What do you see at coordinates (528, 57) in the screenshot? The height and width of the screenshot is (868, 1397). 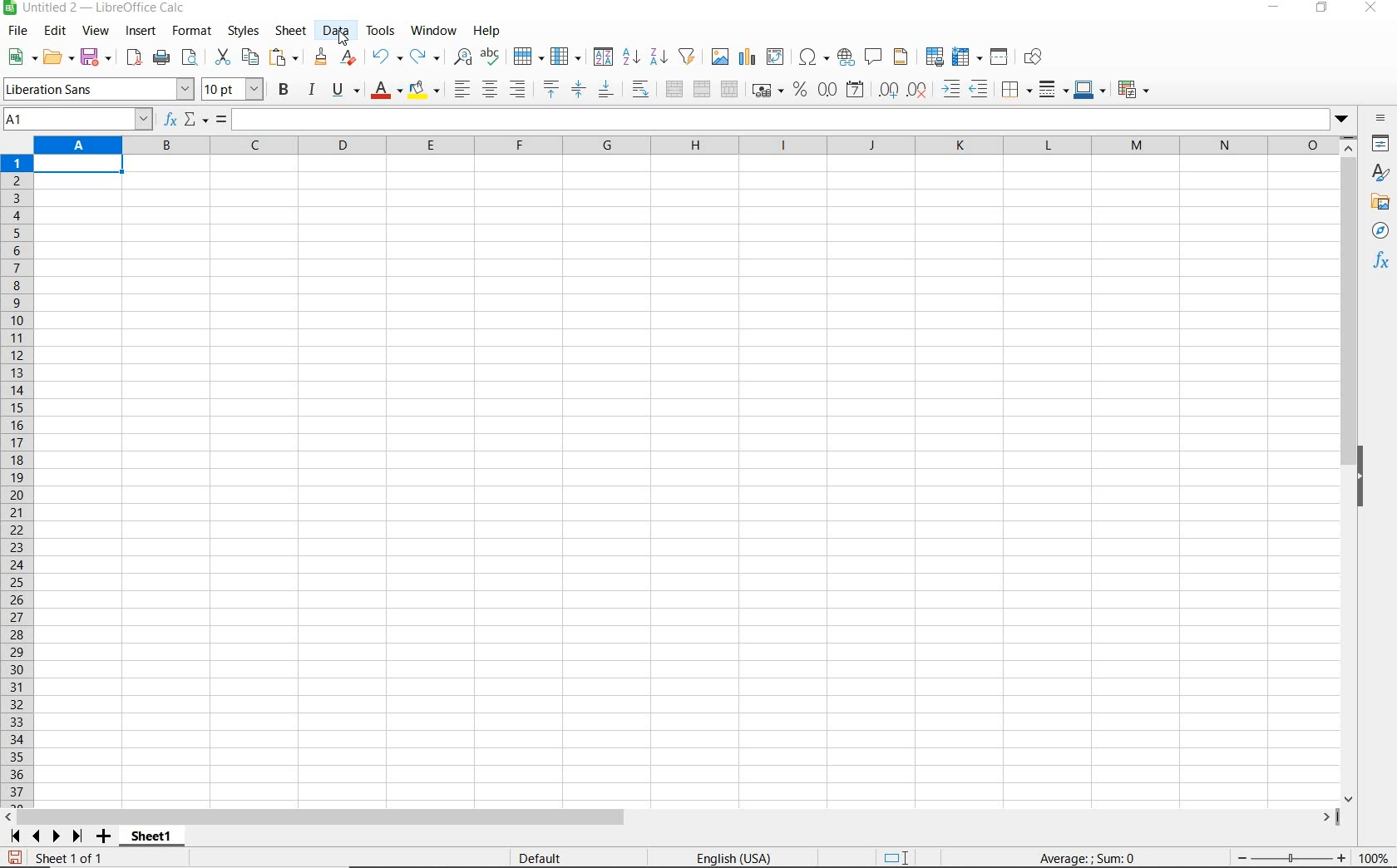 I see `row` at bounding box center [528, 57].